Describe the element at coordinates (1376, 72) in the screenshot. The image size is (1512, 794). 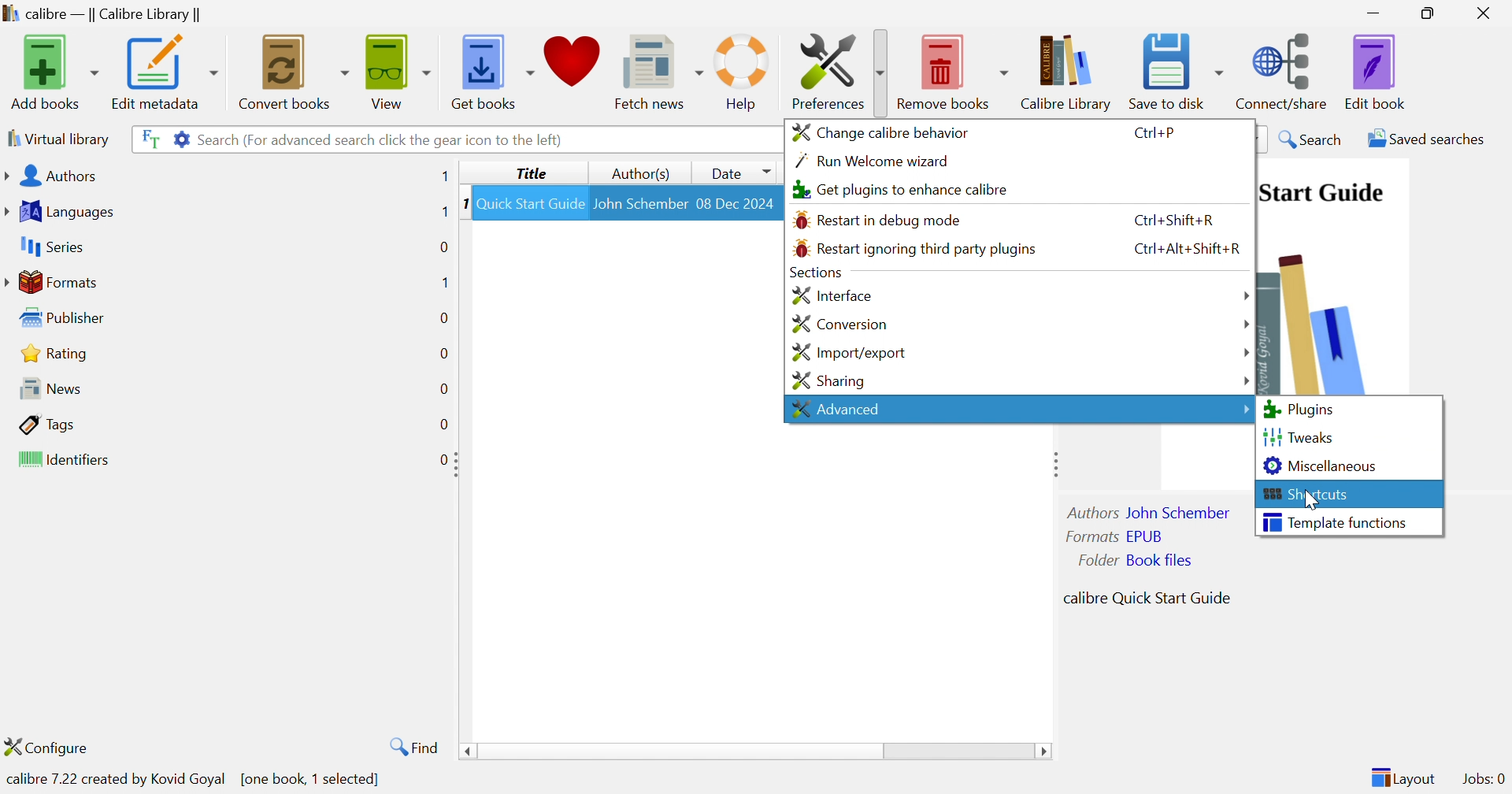
I see `Edit book` at that location.